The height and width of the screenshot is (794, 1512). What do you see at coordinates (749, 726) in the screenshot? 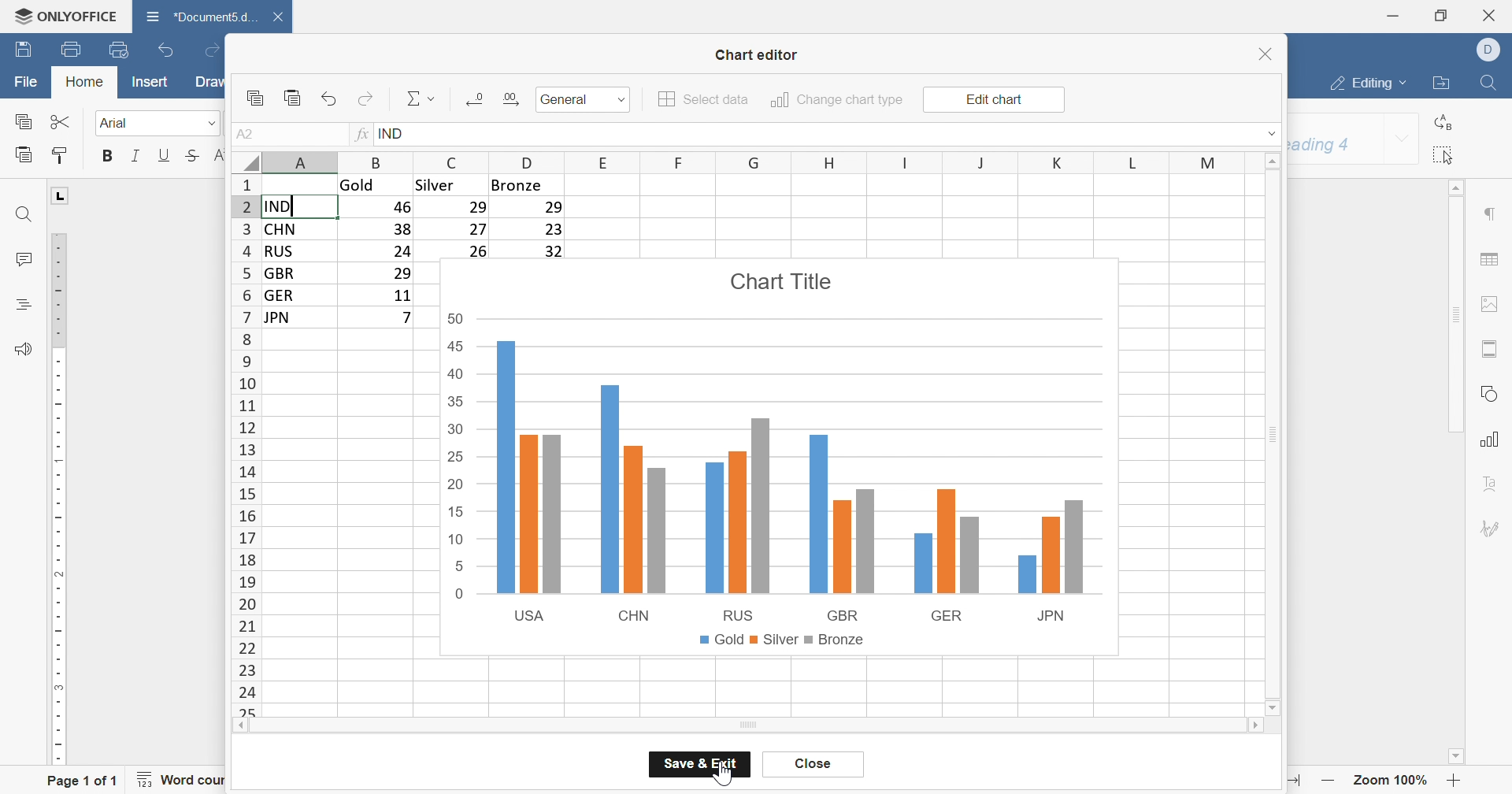
I see `scroll bar` at bounding box center [749, 726].